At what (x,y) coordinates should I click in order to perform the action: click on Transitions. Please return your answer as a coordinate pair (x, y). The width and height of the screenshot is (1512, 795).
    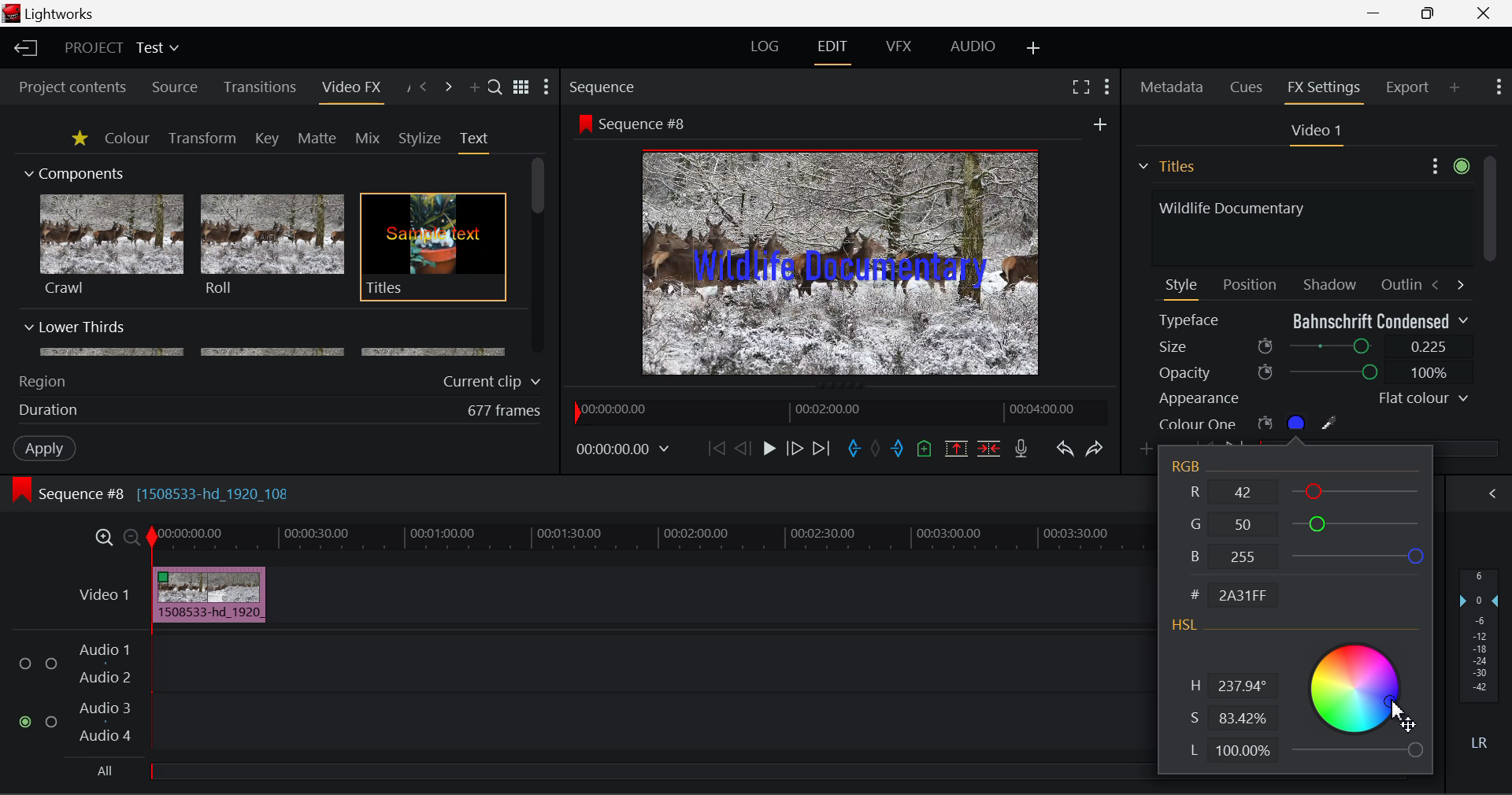
    Looking at the image, I should click on (260, 87).